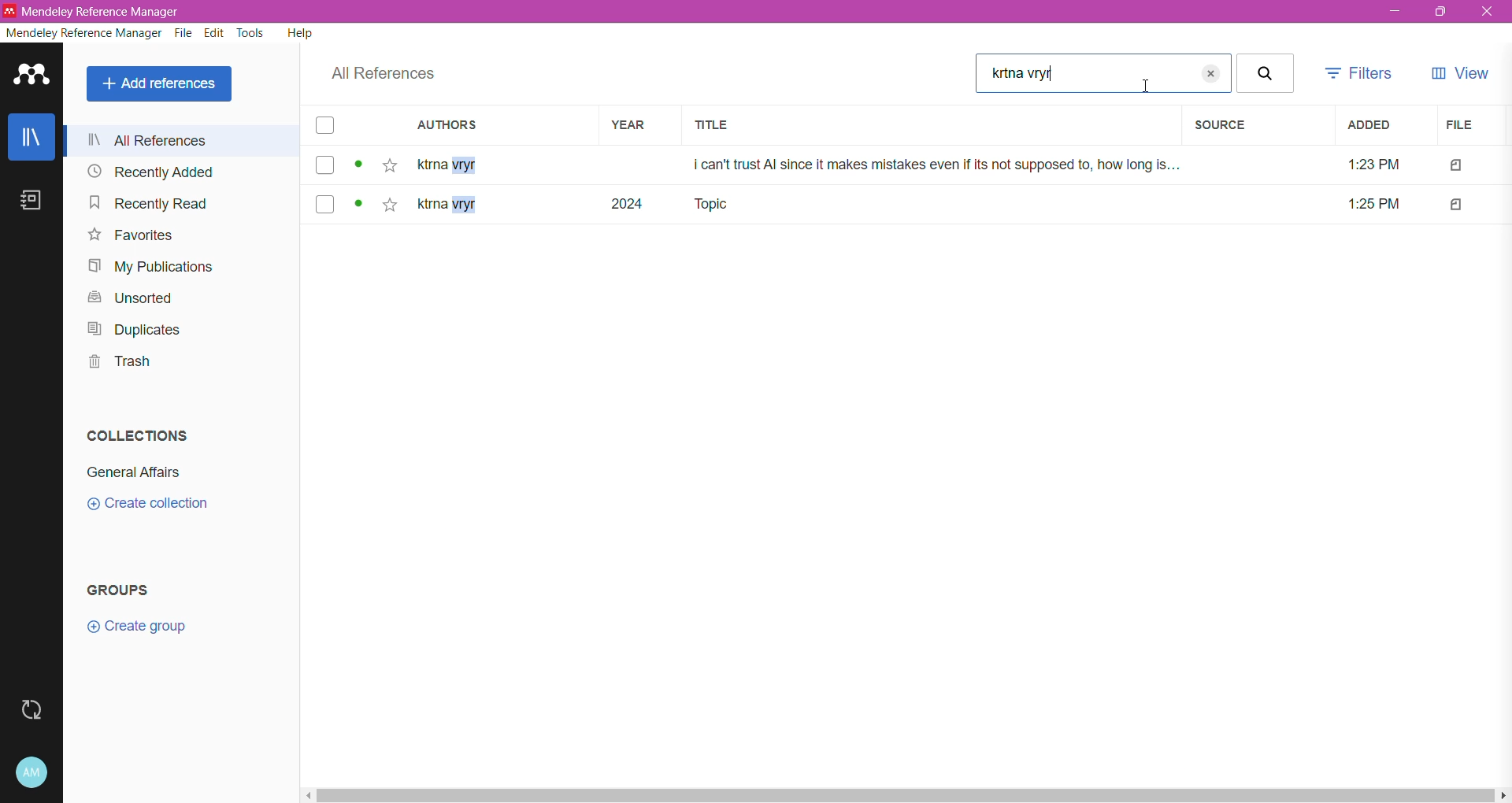  What do you see at coordinates (1488, 13) in the screenshot?
I see `Close` at bounding box center [1488, 13].